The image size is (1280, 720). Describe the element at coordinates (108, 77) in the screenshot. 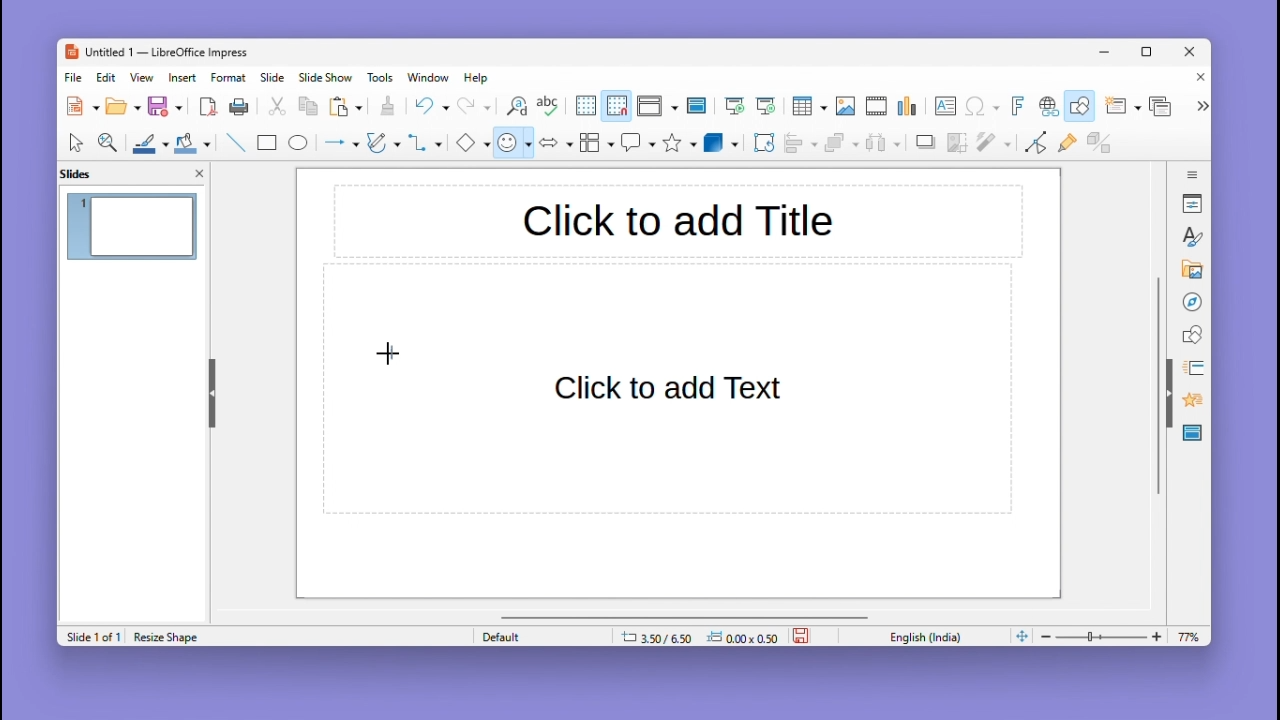

I see `Edit` at that location.